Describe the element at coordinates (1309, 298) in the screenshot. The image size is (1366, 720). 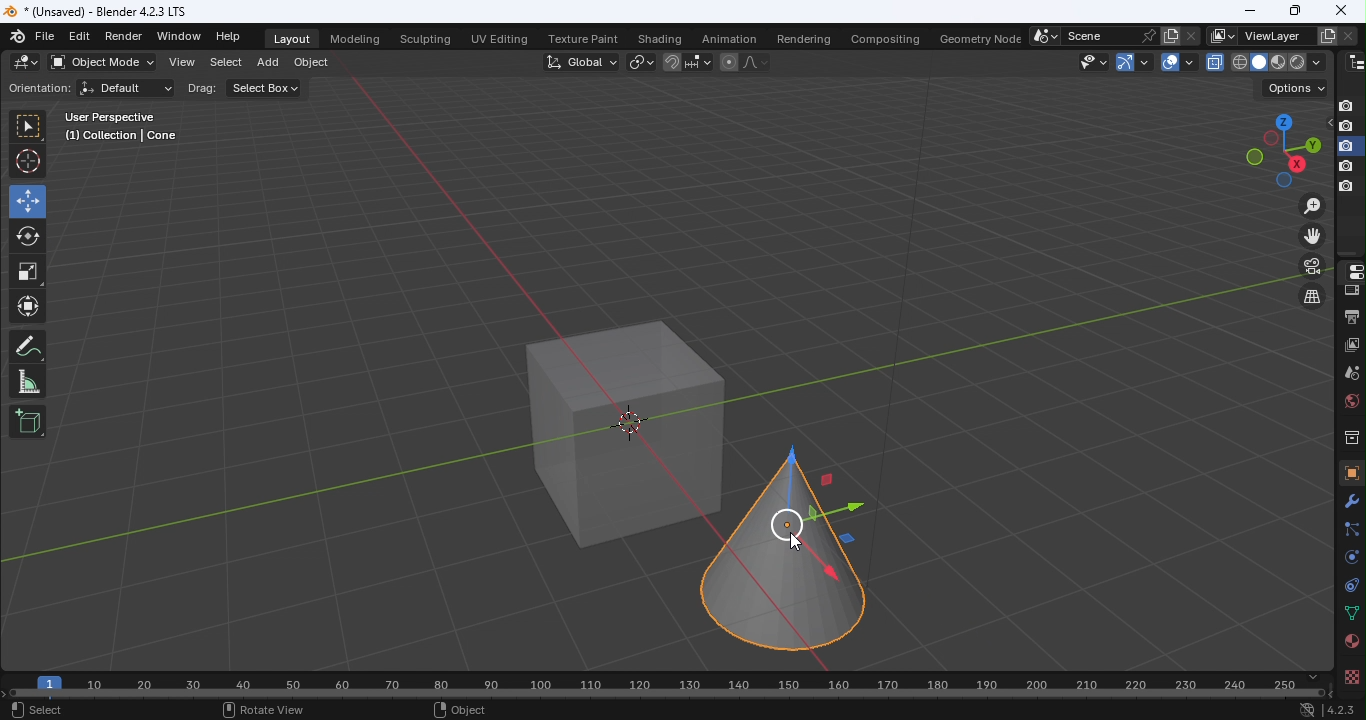
I see `Switch the current view from perspective/orthographic projection` at that location.